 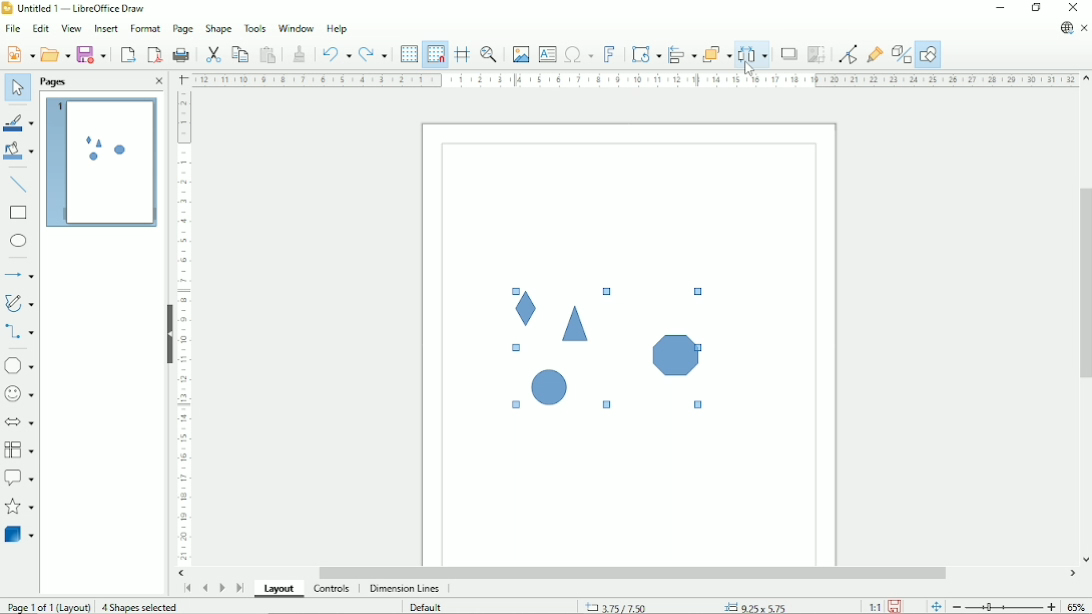 I want to click on Toggle point edit mode, so click(x=846, y=53).